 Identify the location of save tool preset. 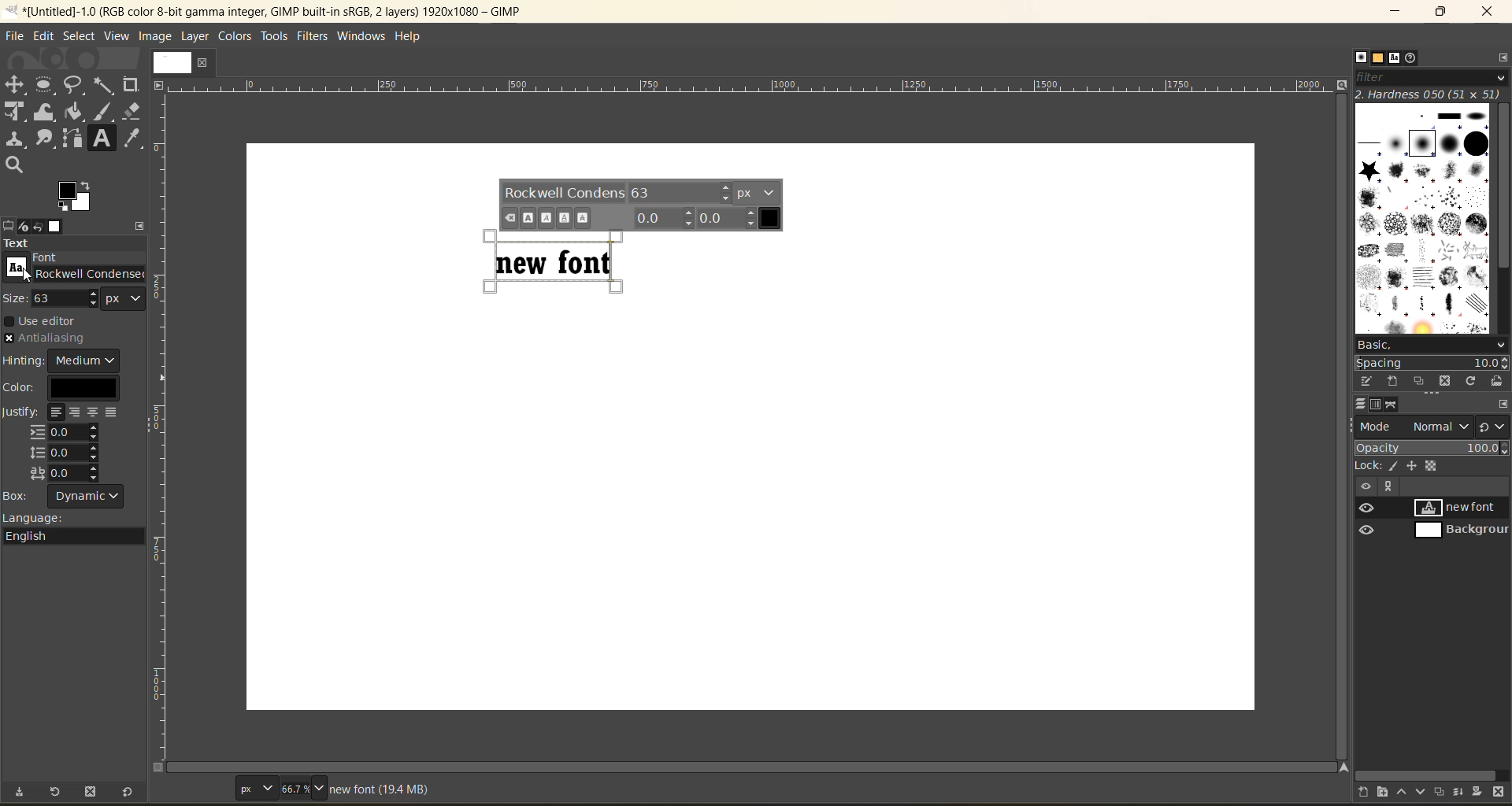
(22, 793).